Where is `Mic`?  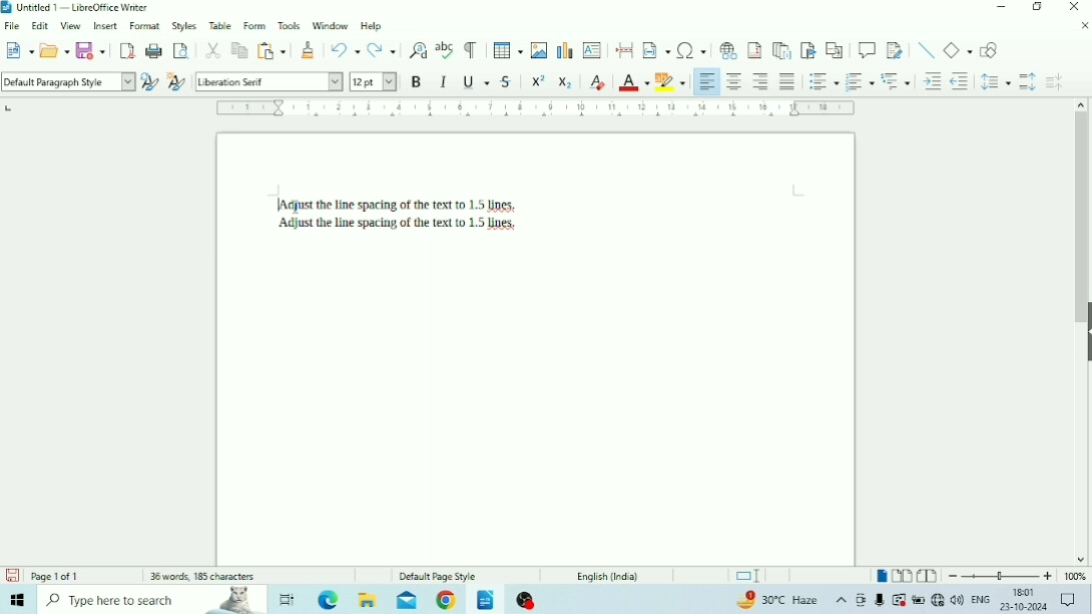
Mic is located at coordinates (879, 600).